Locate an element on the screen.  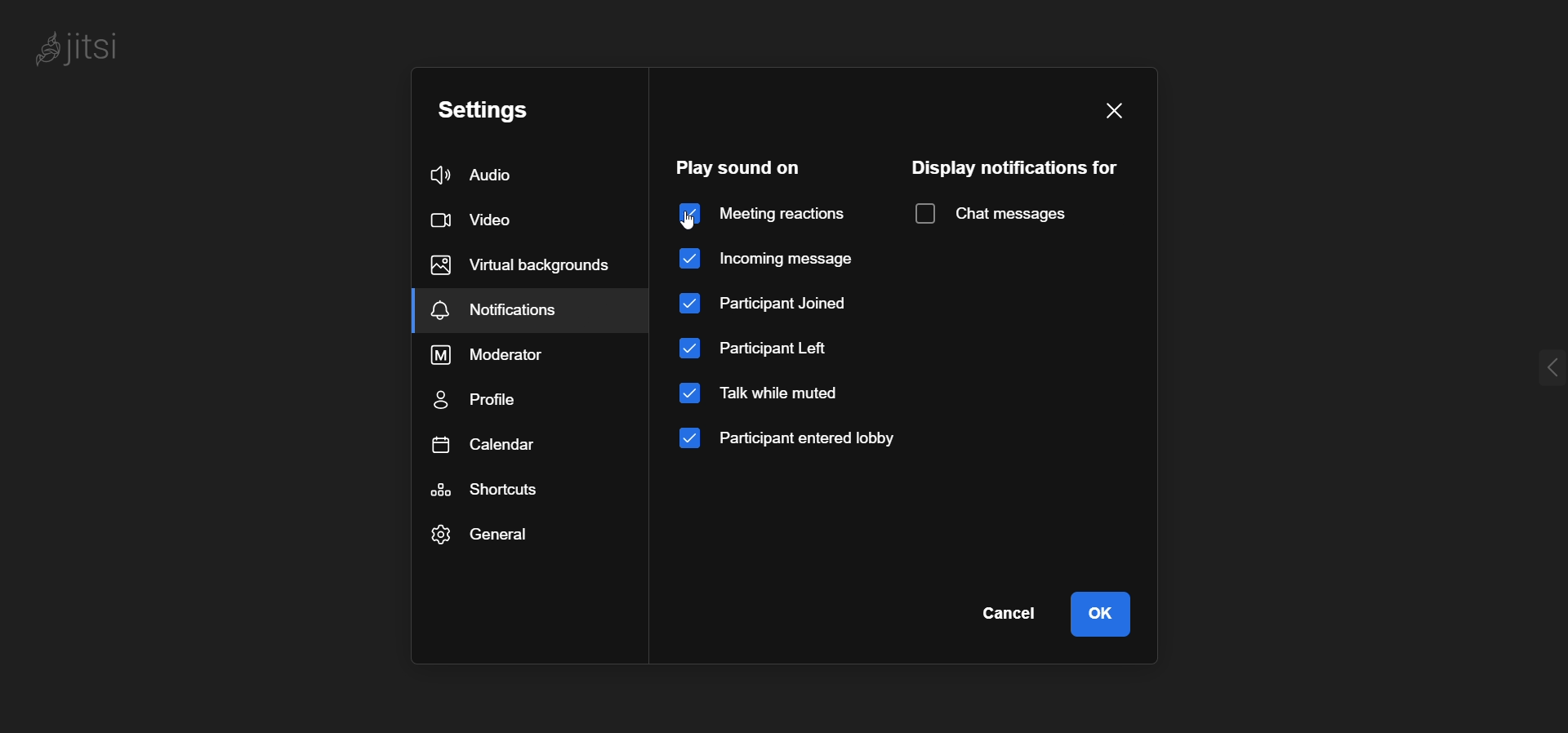
general is located at coordinates (483, 534).